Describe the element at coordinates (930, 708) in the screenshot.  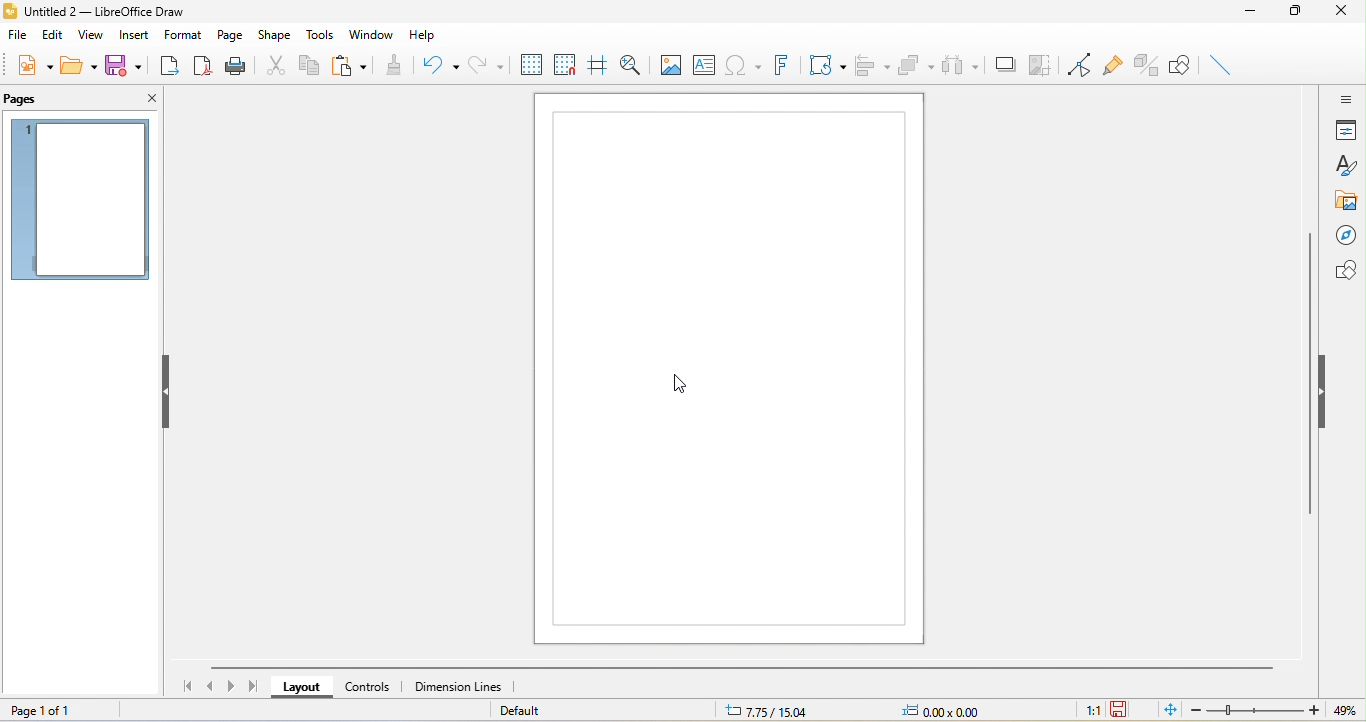
I see `0.00x0.00` at that location.